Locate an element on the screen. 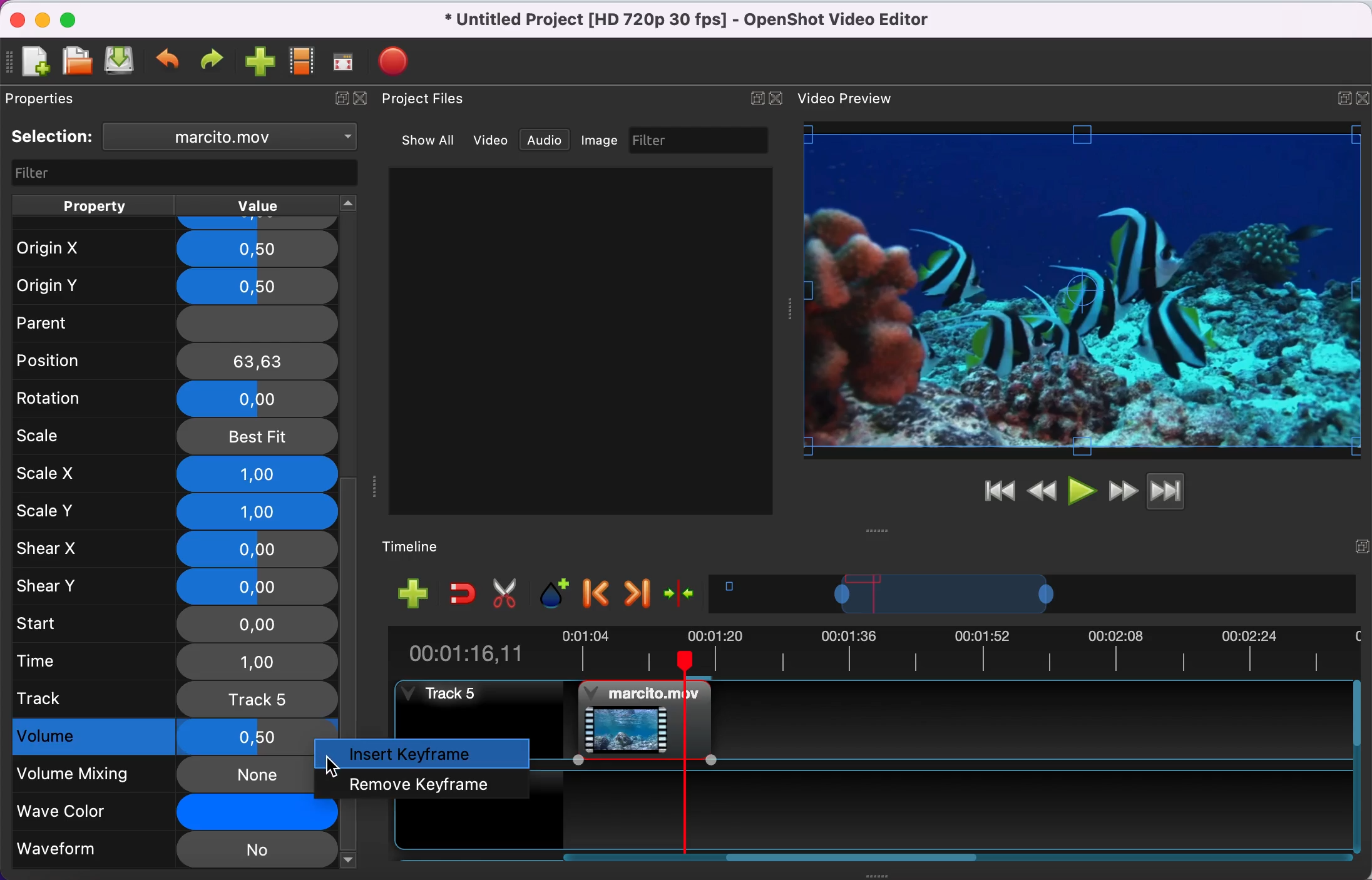 The height and width of the screenshot is (880, 1372). close is located at coordinates (779, 97).